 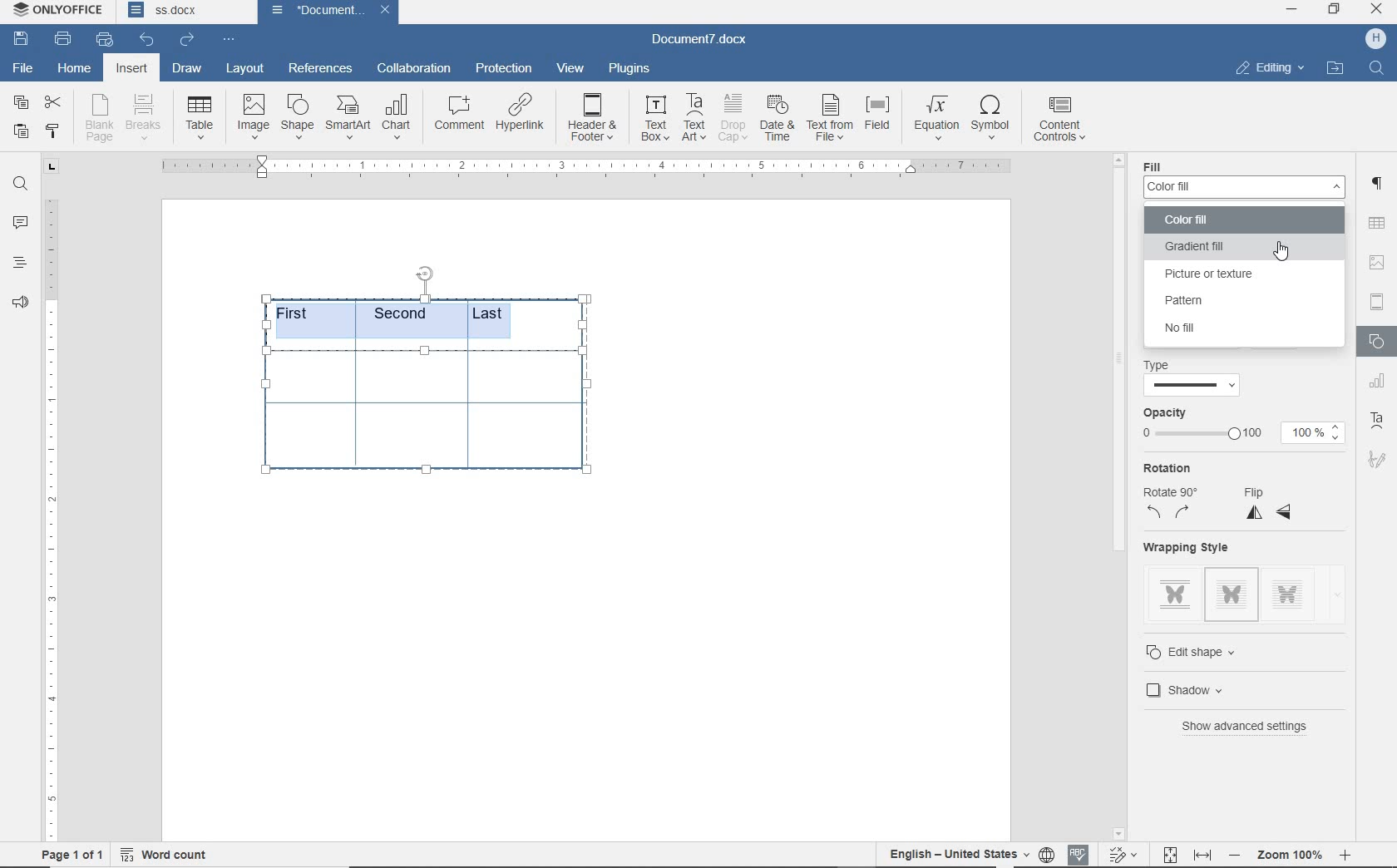 What do you see at coordinates (185, 68) in the screenshot?
I see `draw` at bounding box center [185, 68].